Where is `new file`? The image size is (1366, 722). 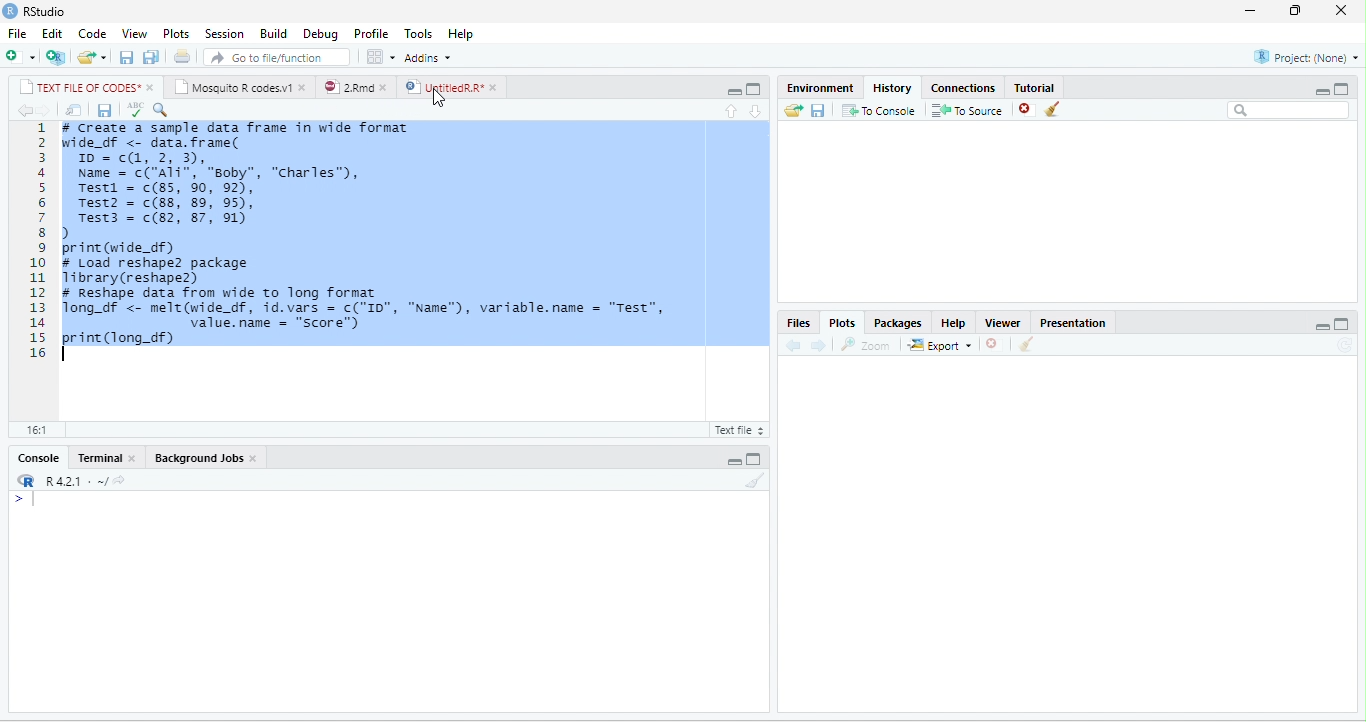 new file is located at coordinates (20, 58).